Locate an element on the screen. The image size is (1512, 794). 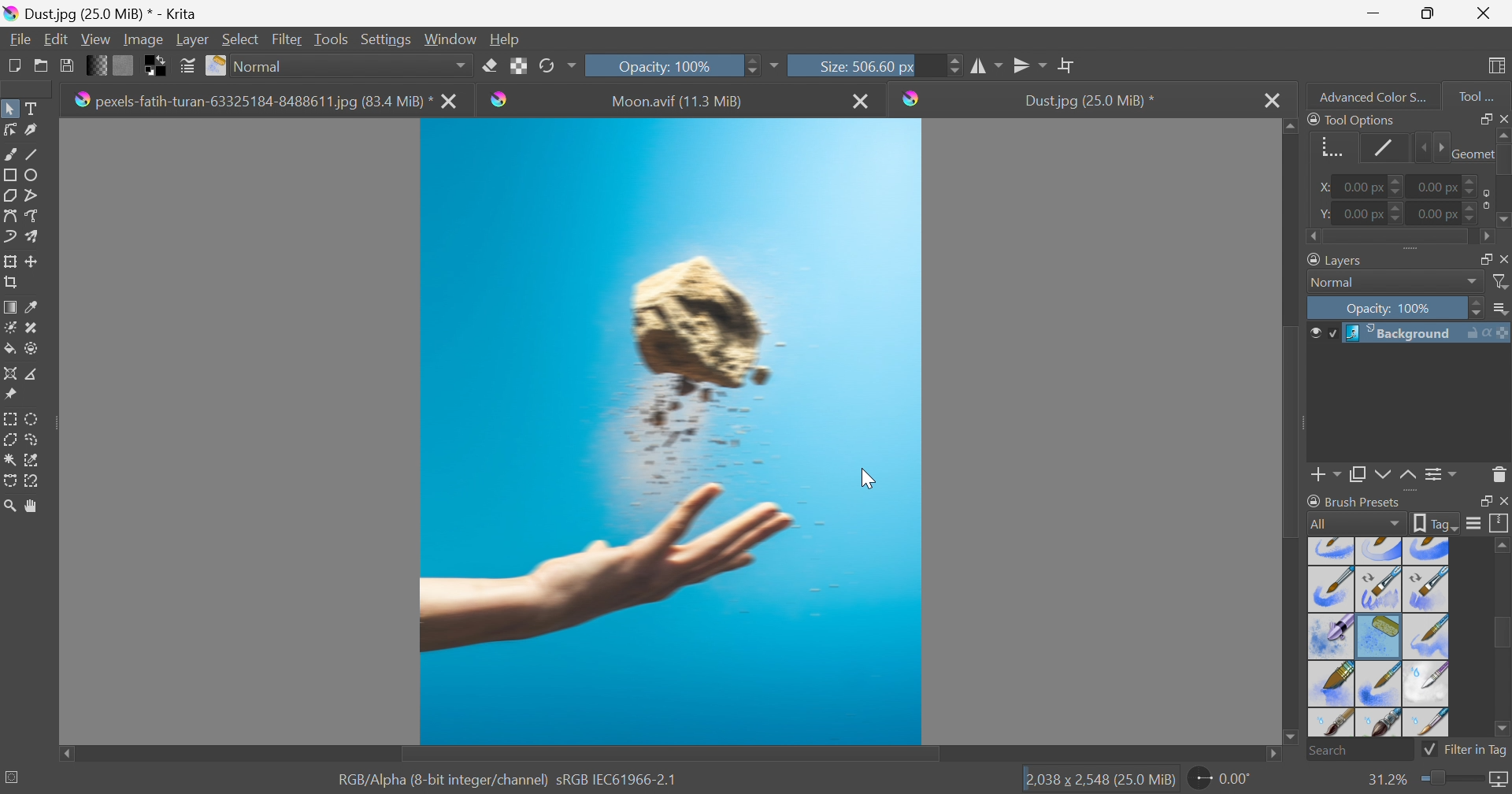
X: is located at coordinates (1320, 187).